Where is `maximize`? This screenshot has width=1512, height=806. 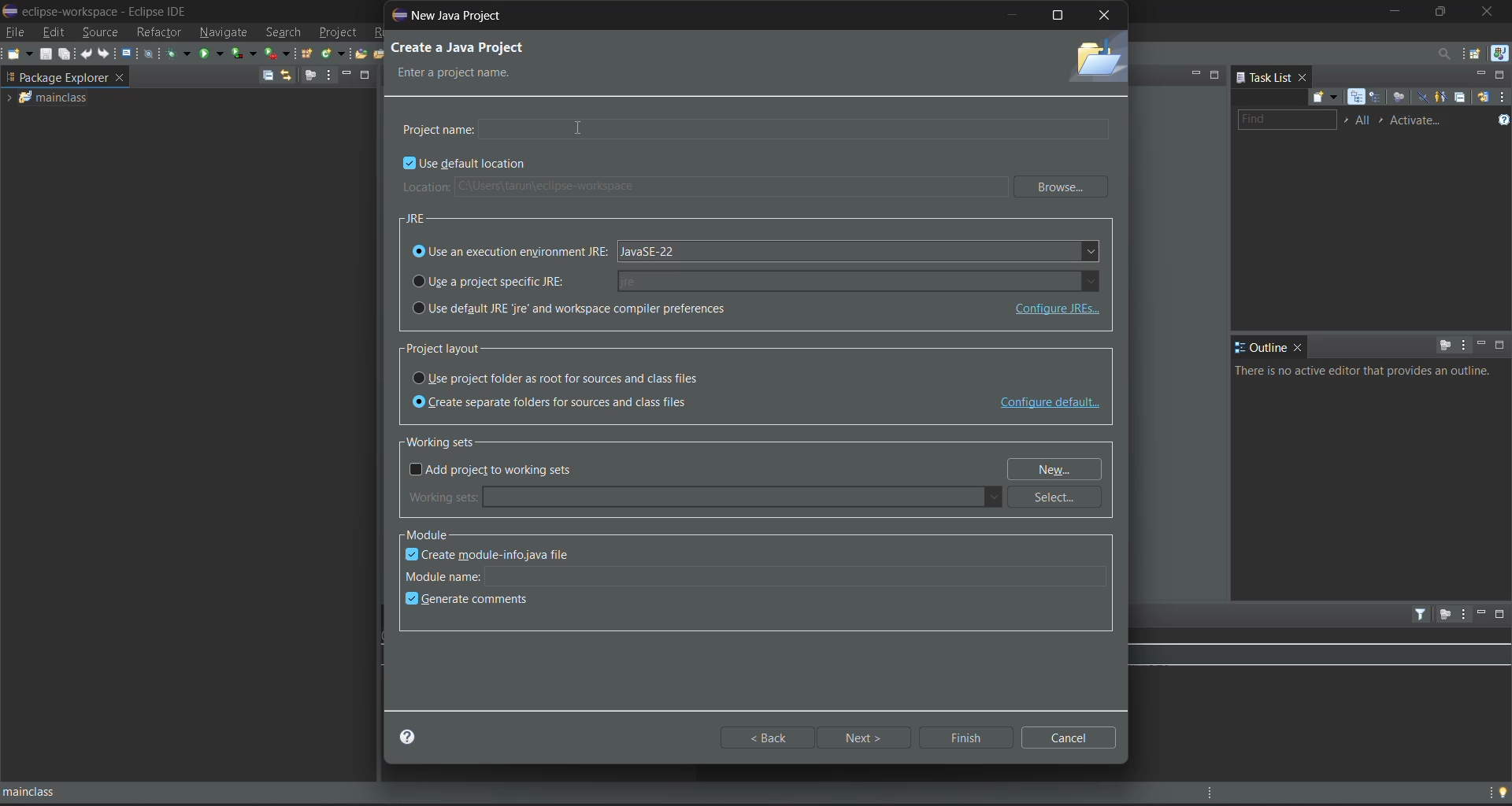
maximize is located at coordinates (1503, 615).